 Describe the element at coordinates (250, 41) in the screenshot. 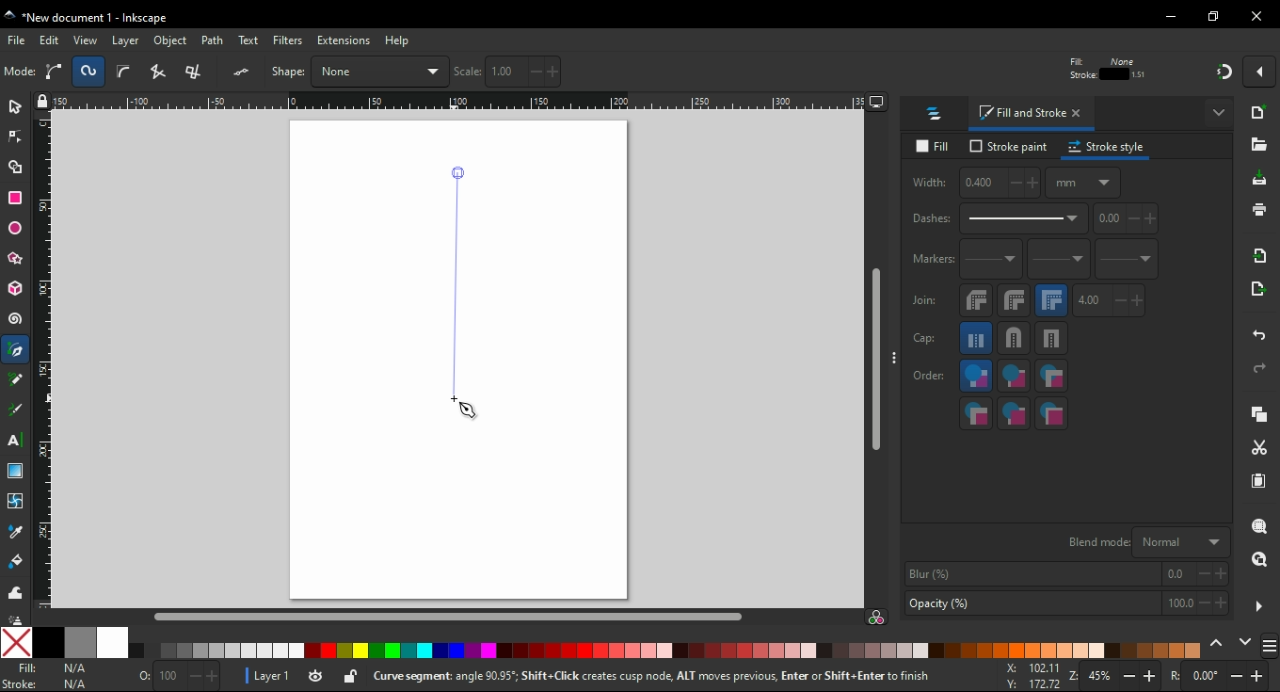

I see `text` at that location.